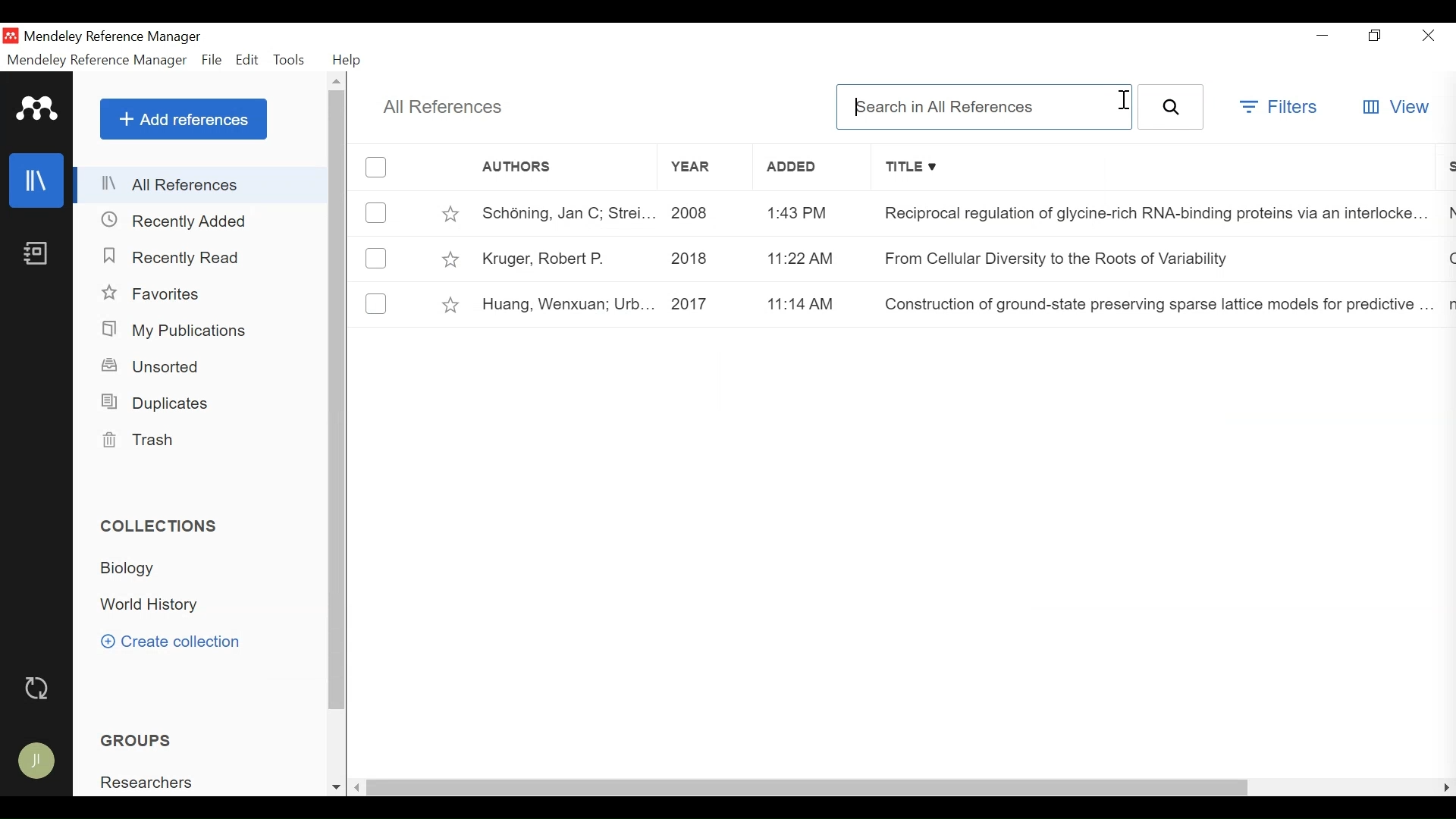  I want to click on Mendeley Reference Manager, so click(97, 61).